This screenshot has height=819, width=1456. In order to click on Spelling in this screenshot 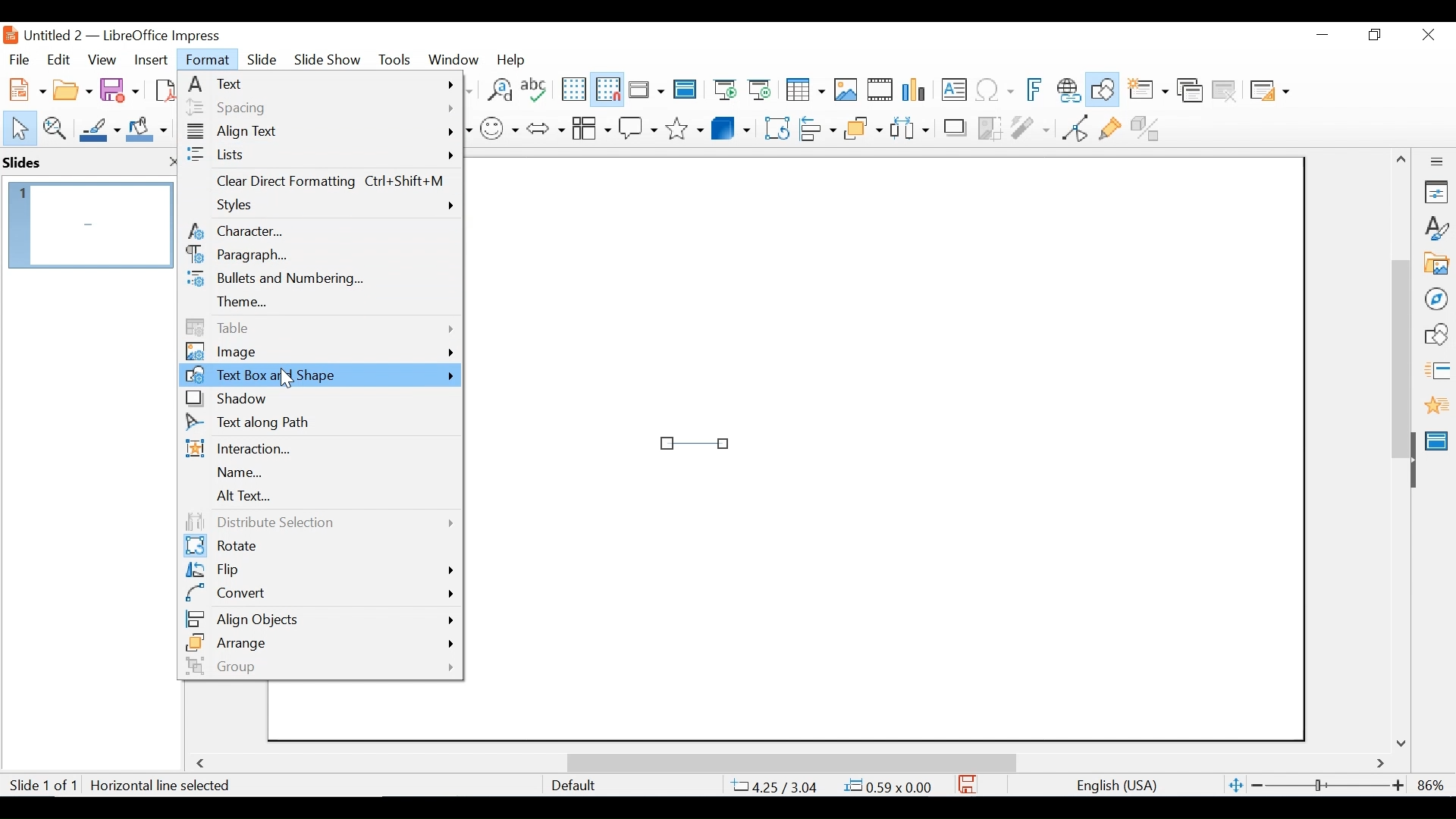, I will do `click(536, 89)`.